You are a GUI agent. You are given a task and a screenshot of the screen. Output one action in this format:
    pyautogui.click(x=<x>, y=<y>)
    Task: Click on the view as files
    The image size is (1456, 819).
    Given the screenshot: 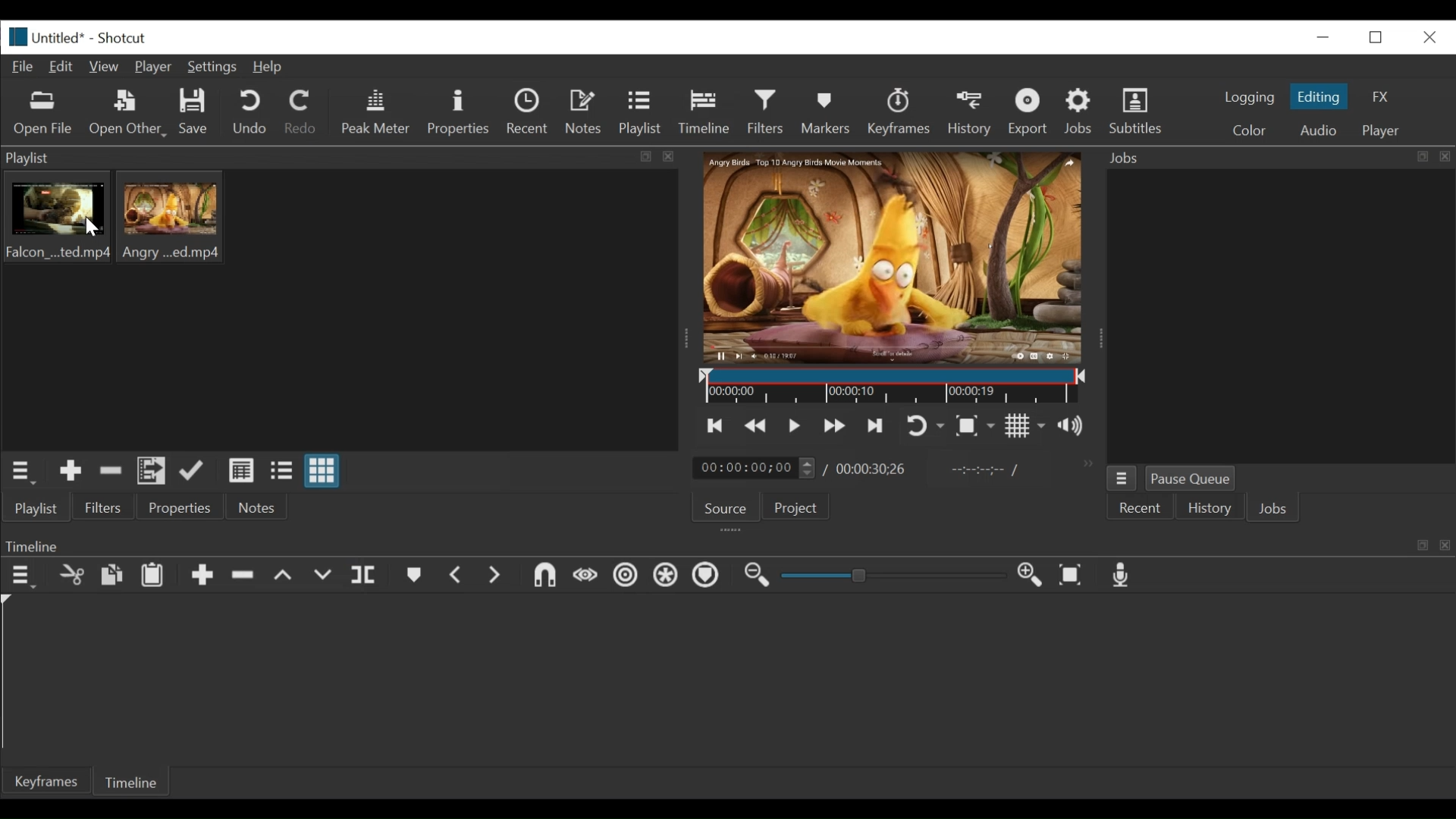 What is the action you would take?
    pyautogui.click(x=283, y=470)
    